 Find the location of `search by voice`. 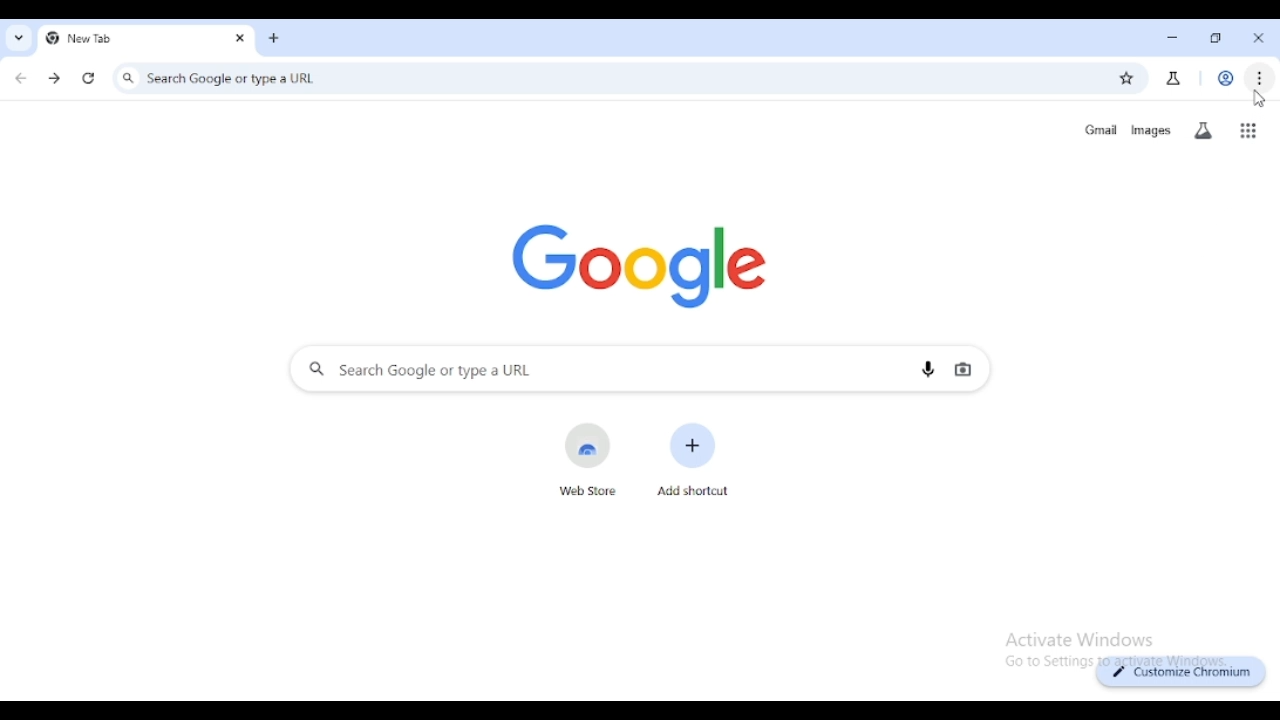

search by voice is located at coordinates (928, 368).